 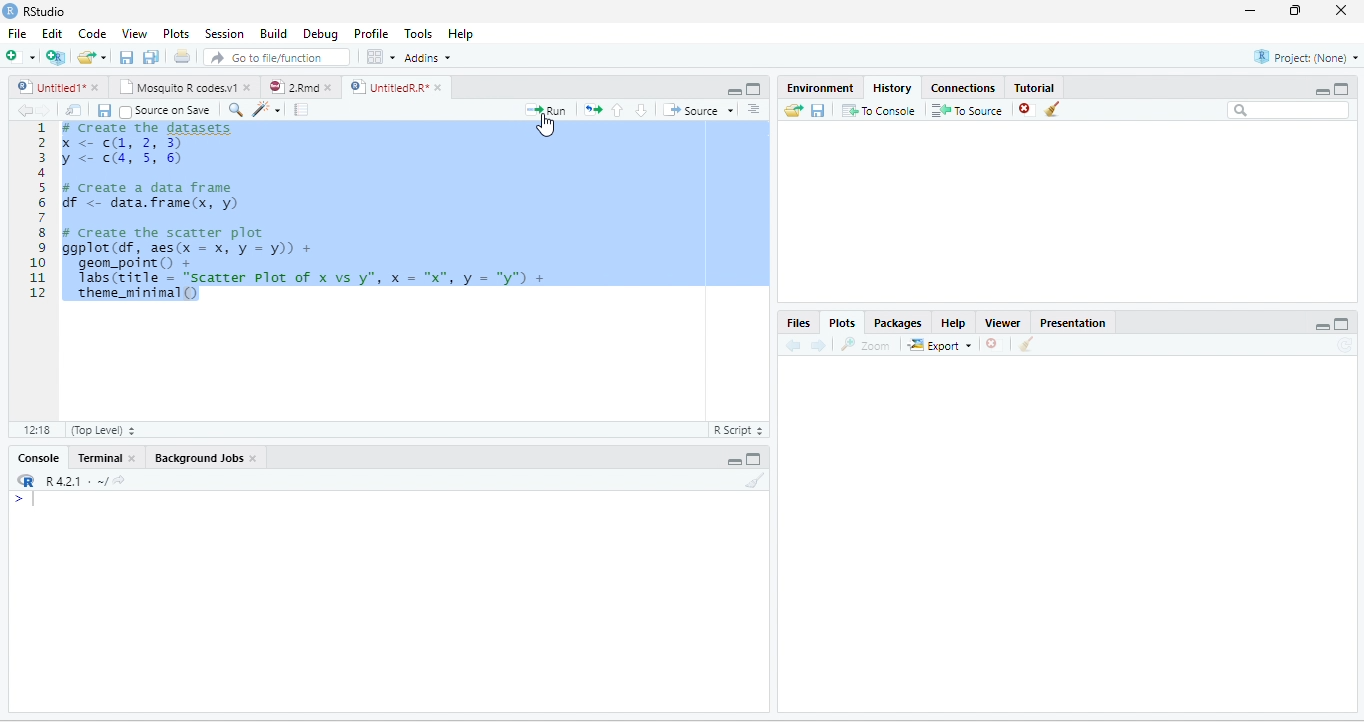 I want to click on Show document outline, so click(x=754, y=108).